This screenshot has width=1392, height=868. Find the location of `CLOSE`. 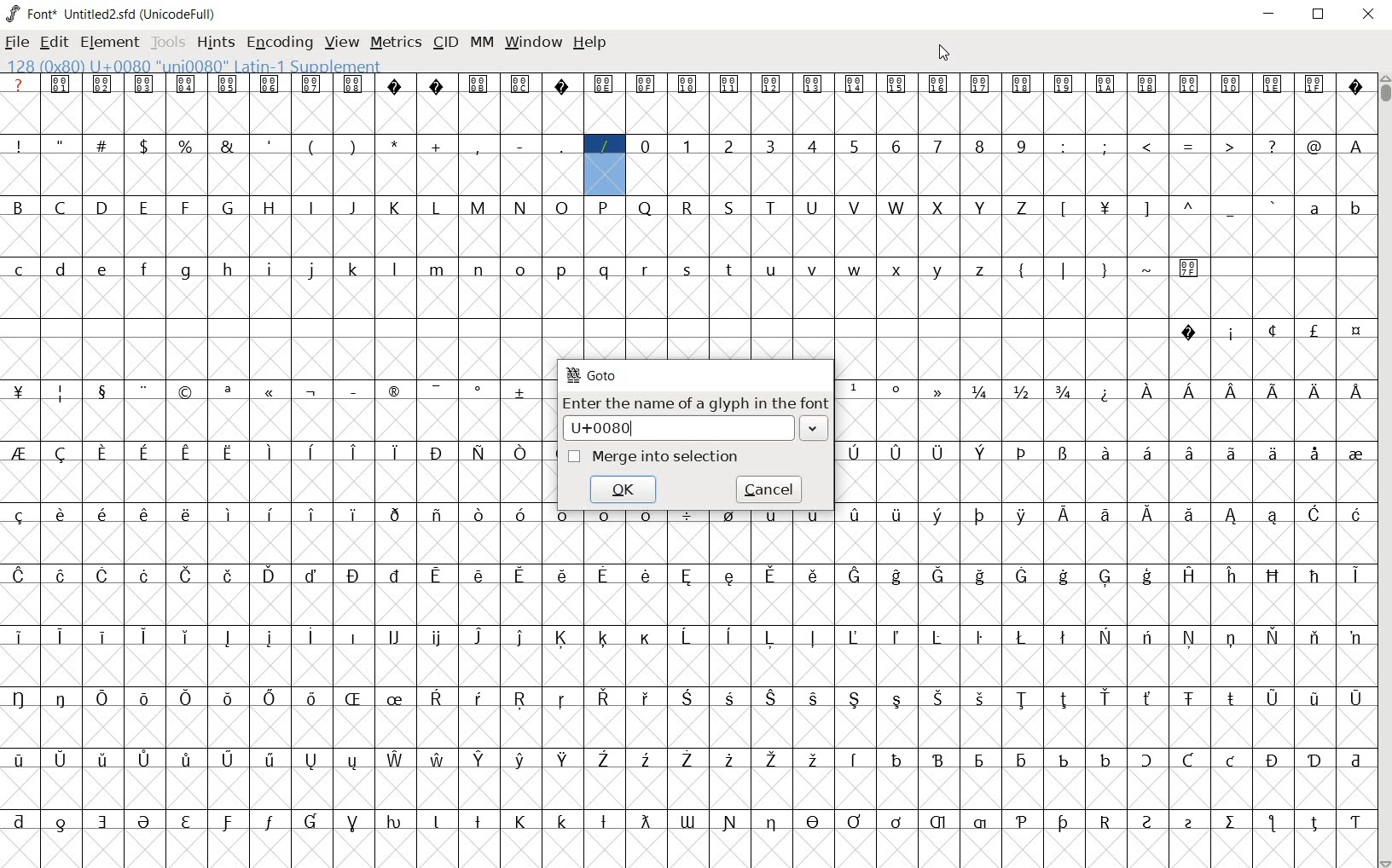

CLOSE is located at coordinates (1368, 15).